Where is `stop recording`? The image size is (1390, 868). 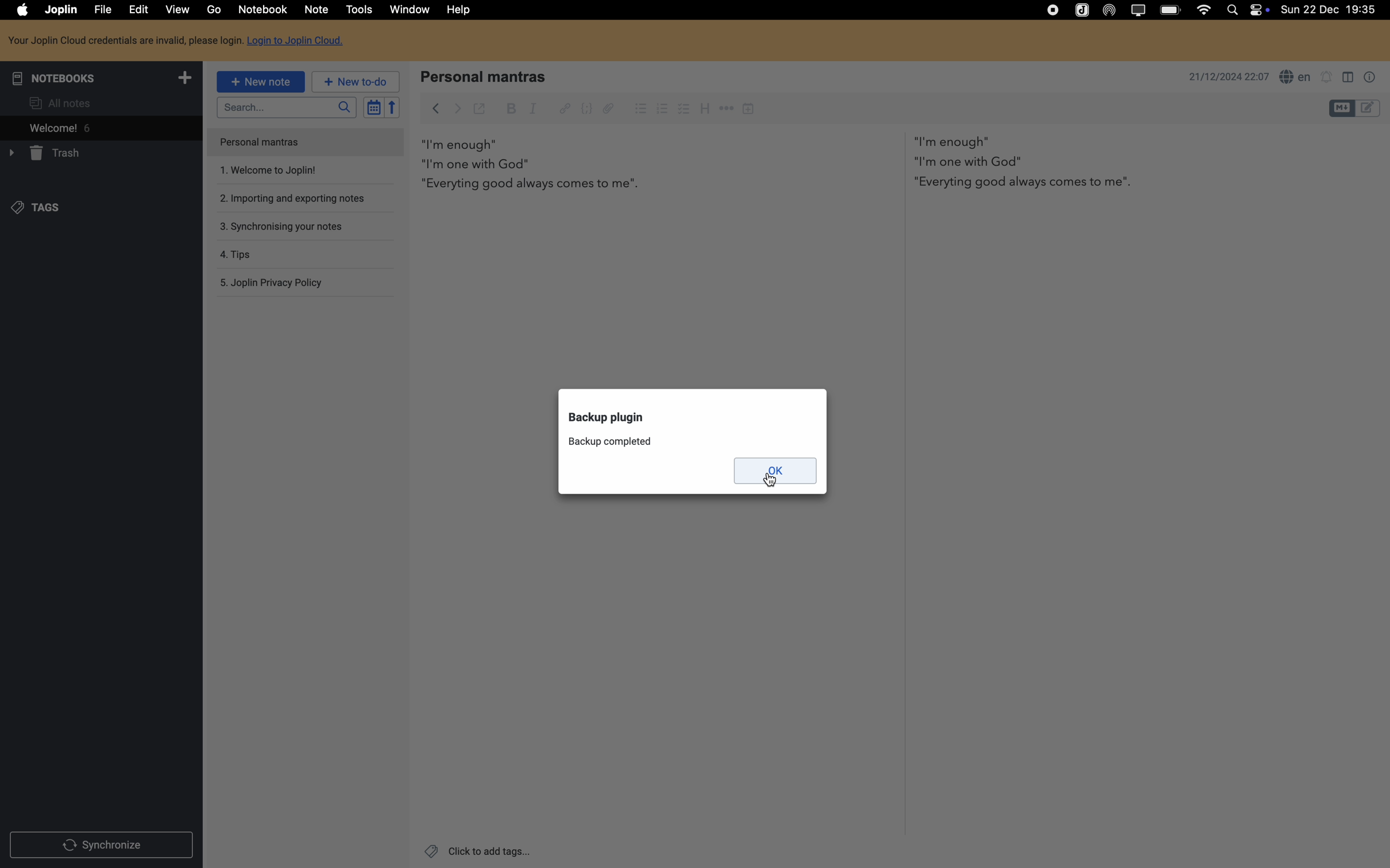 stop recording is located at coordinates (1051, 11).